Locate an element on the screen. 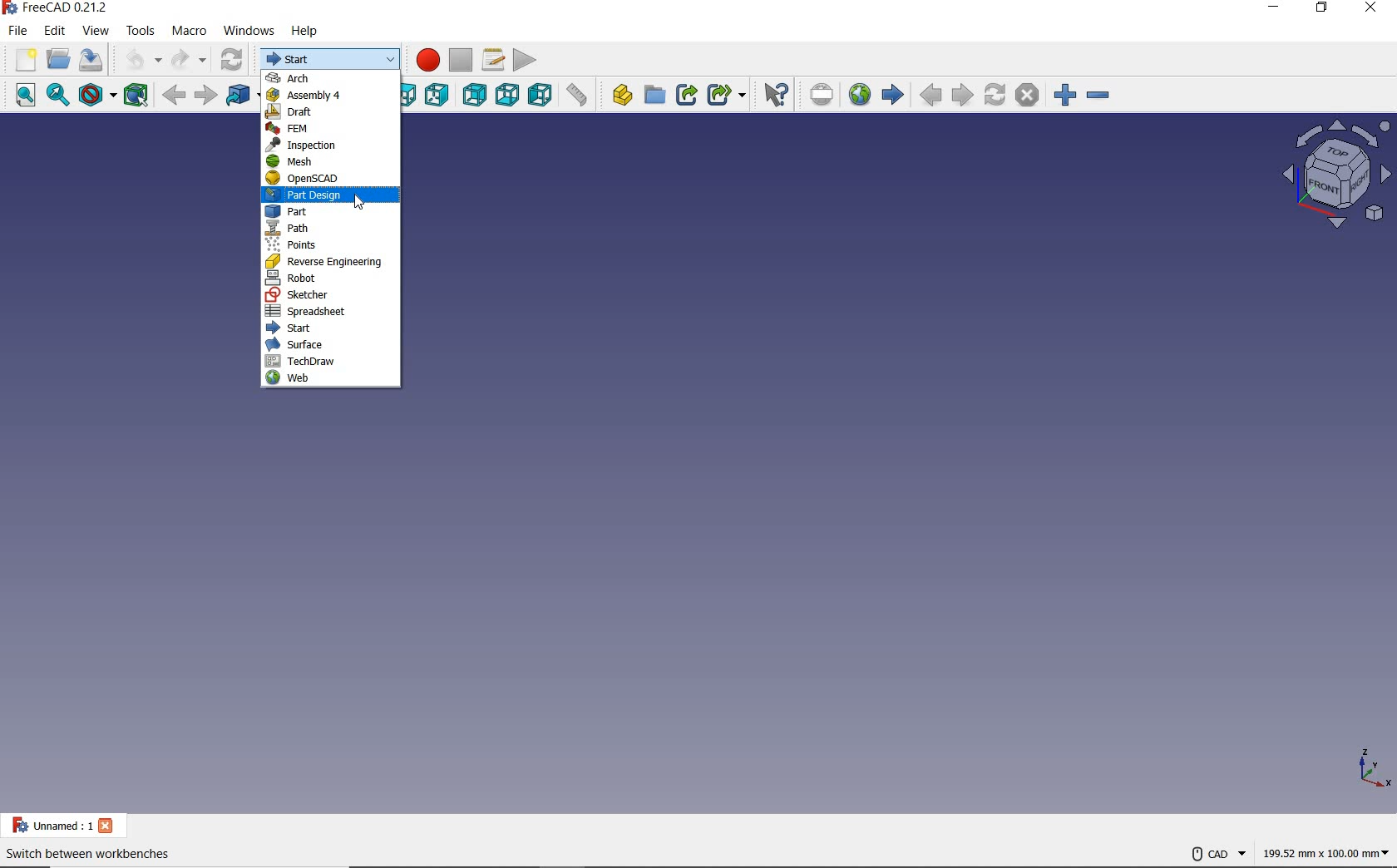 Image resolution: width=1397 pixels, height=868 pixels. REFRESH WEB PAGE is located at coordinates (995, 94).